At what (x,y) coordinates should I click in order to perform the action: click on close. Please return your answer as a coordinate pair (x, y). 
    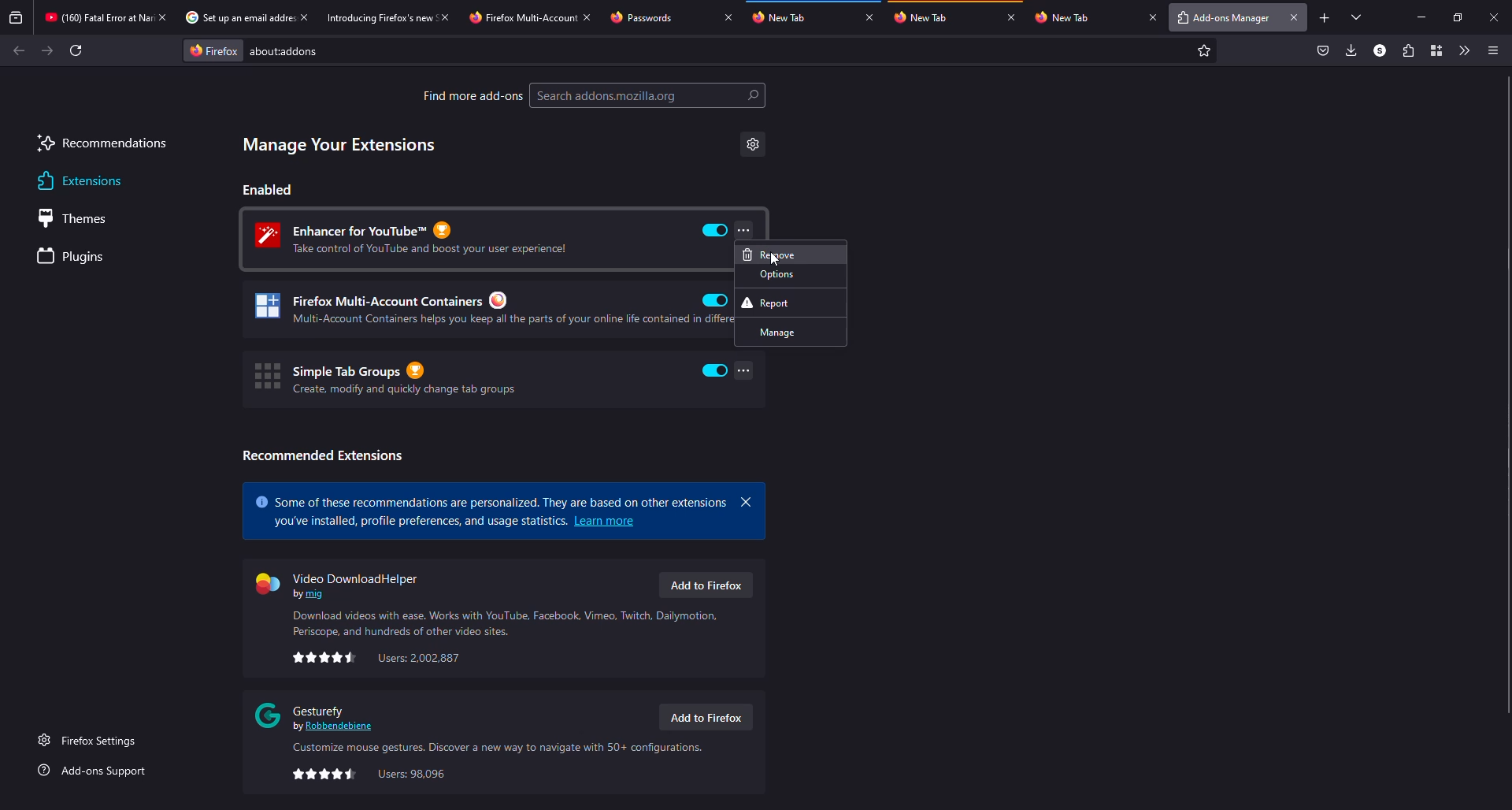
    Looking at the image, I should click on (1011, 17).